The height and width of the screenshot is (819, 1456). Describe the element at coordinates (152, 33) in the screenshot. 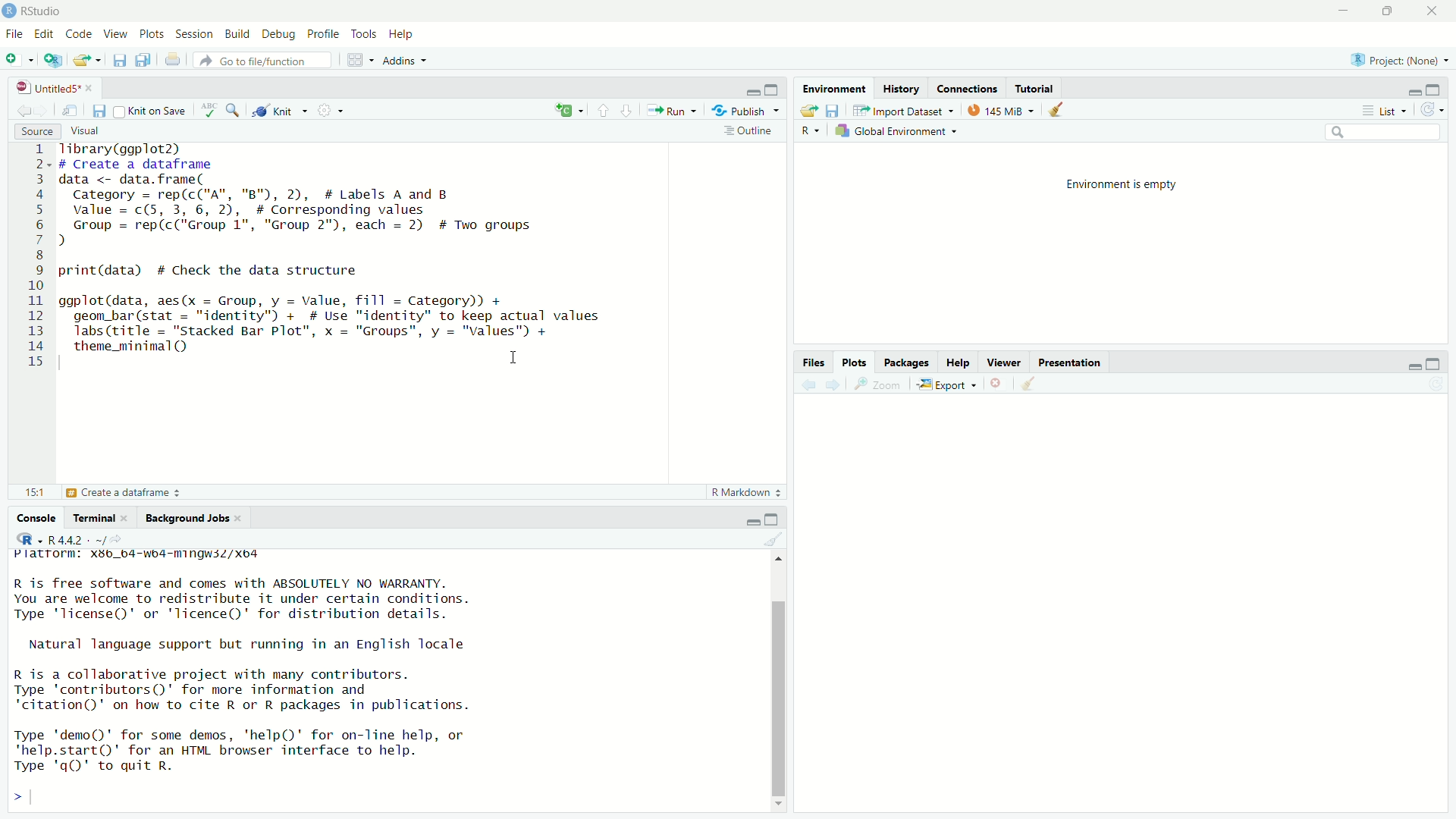

I see `Plots` at that location.